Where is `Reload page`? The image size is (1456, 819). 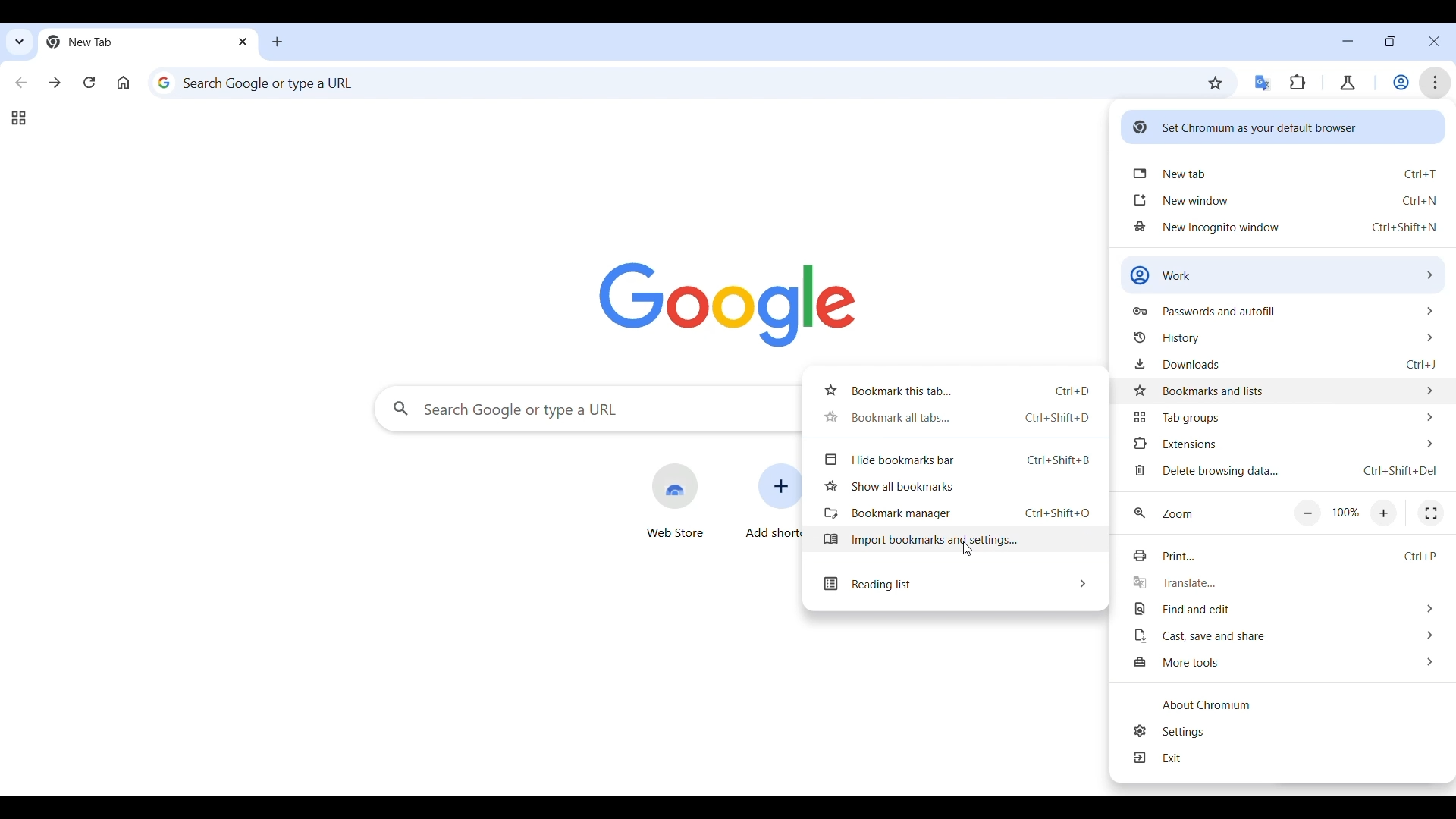
Reload page is located at coordinates (89, 82).